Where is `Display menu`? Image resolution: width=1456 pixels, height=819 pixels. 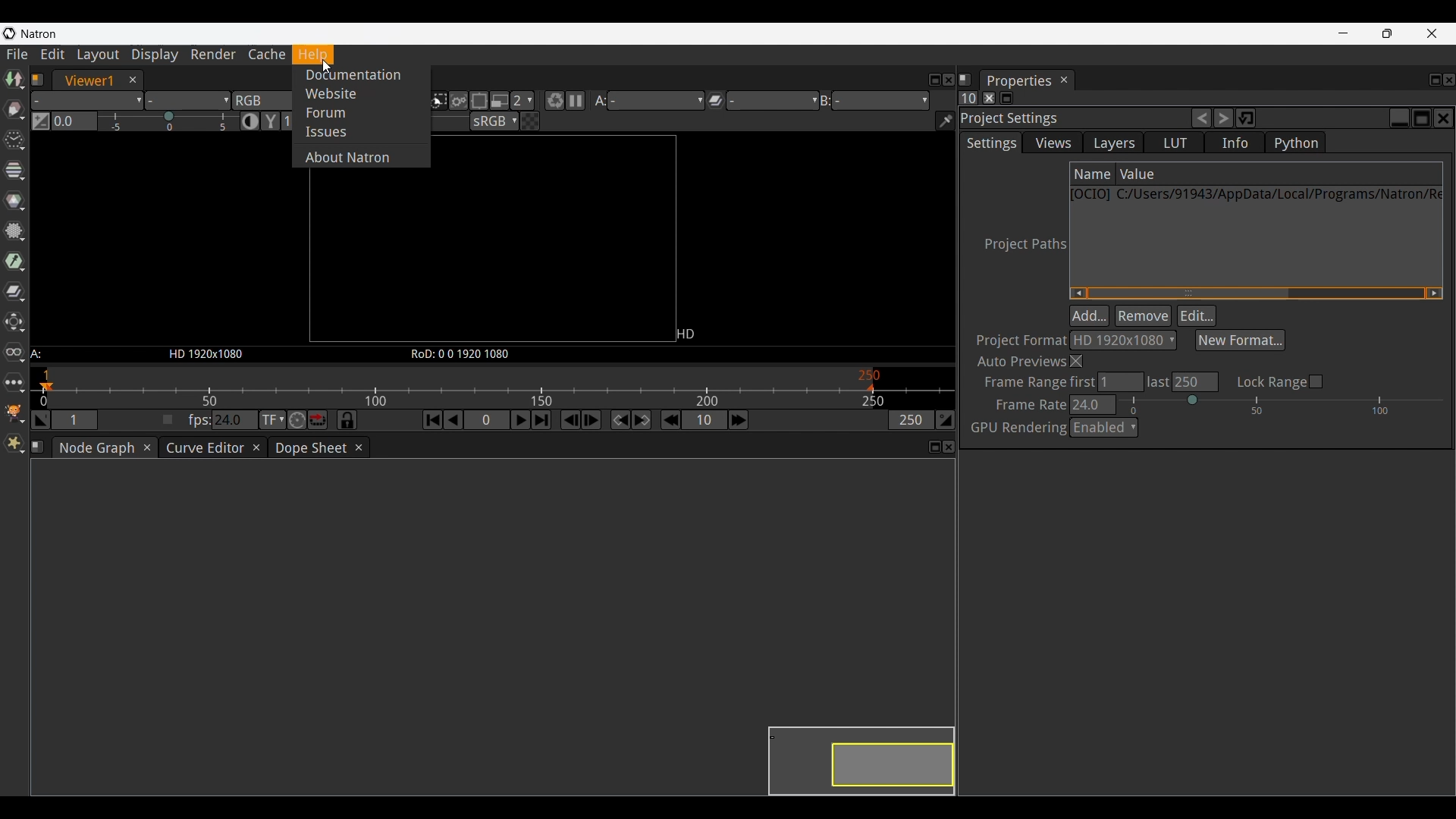 Display menu is located at coordinates (155, 55).